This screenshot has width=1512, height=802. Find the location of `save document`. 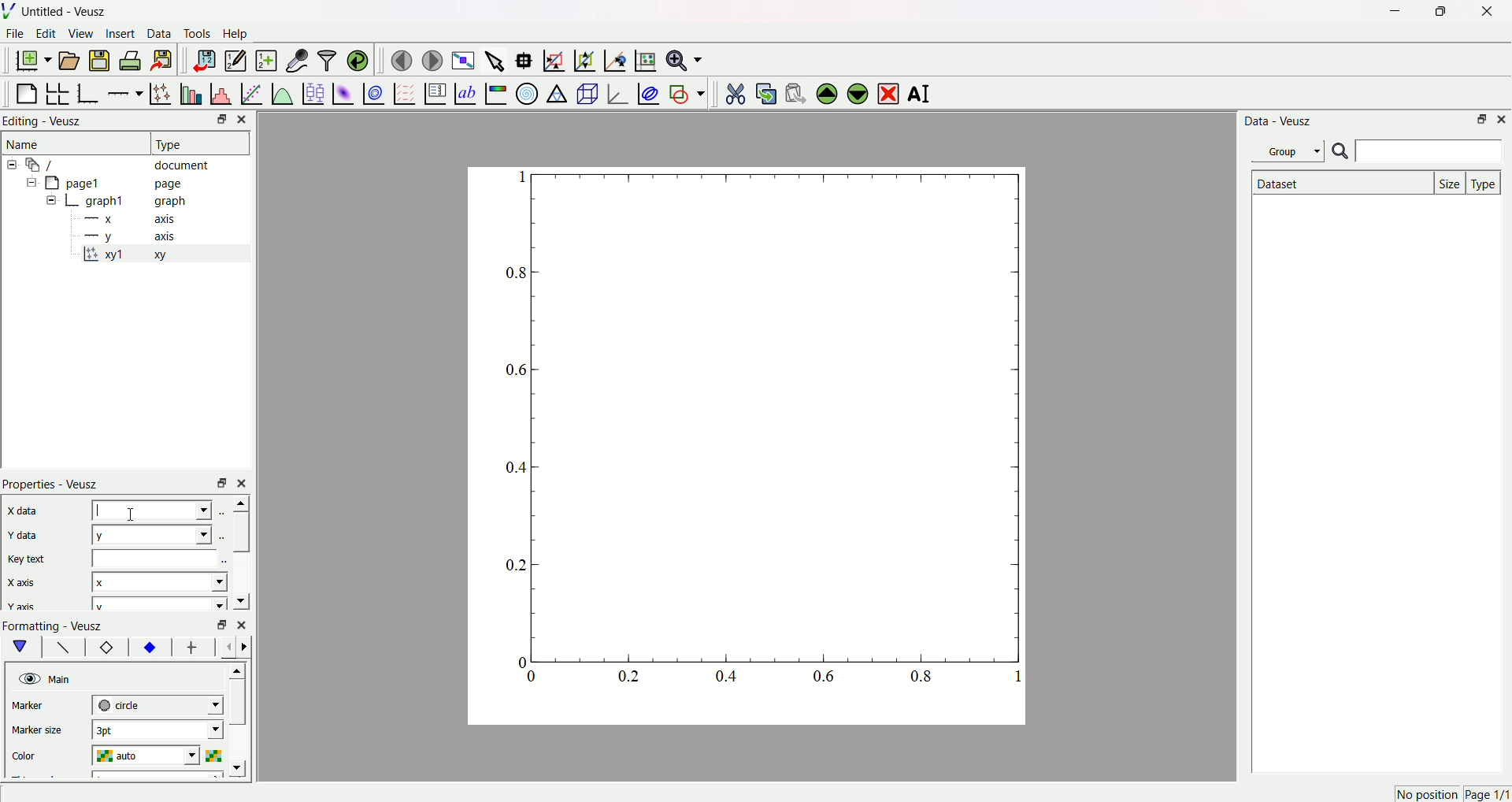

save document is located at coordinates (102, 60).